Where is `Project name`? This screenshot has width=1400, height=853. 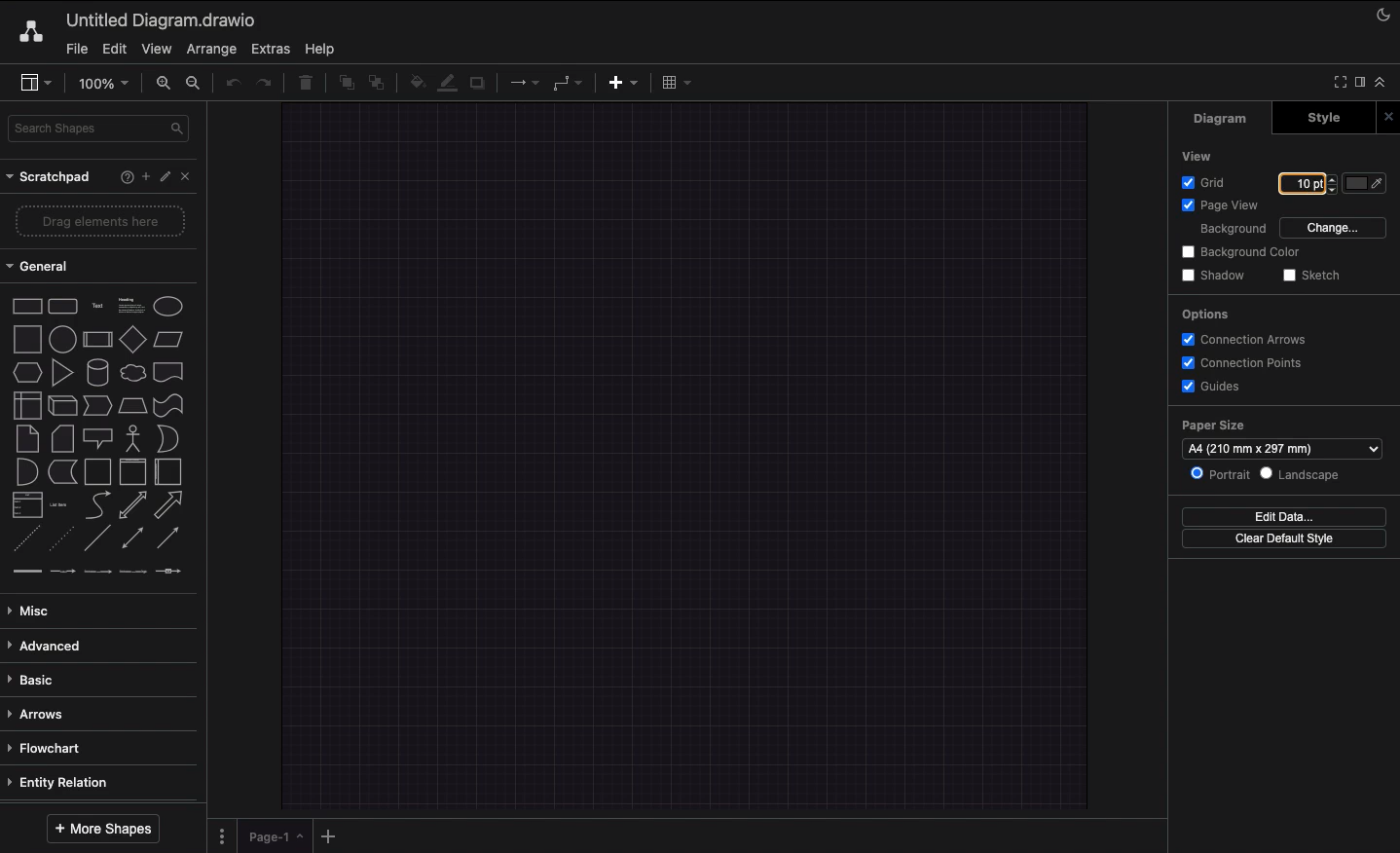
Project name is located at coordinates (163, 19).